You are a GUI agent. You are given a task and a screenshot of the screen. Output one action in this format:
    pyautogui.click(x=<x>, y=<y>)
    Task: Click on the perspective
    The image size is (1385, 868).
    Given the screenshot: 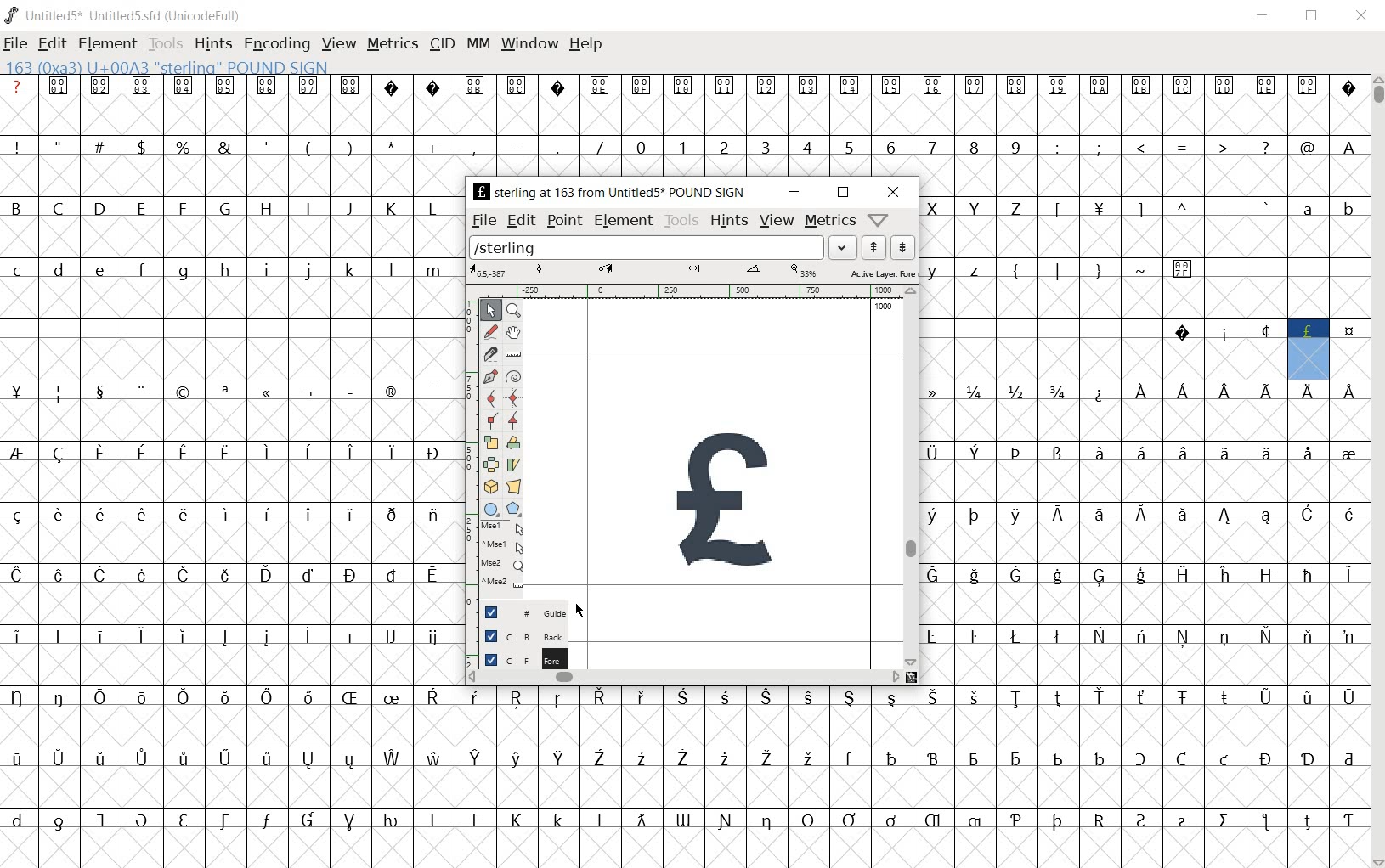 What is the action you would take?
    pyautogui.click(x=517, y=486)
    